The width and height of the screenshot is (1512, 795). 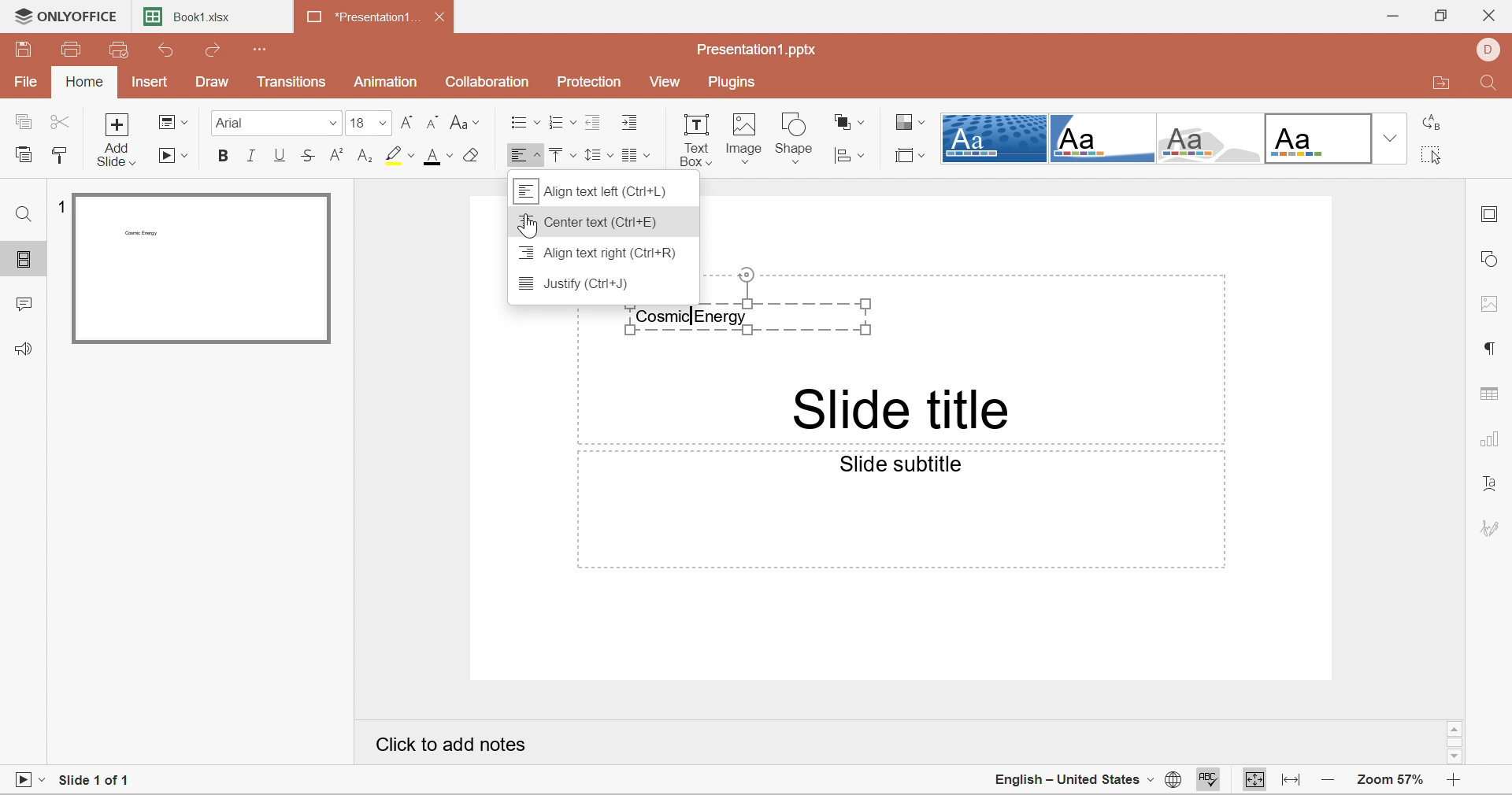 What do you see at coordinates (1106, 140) in the screenshot?
I see `Corner` at bounding box center [1106, 140].